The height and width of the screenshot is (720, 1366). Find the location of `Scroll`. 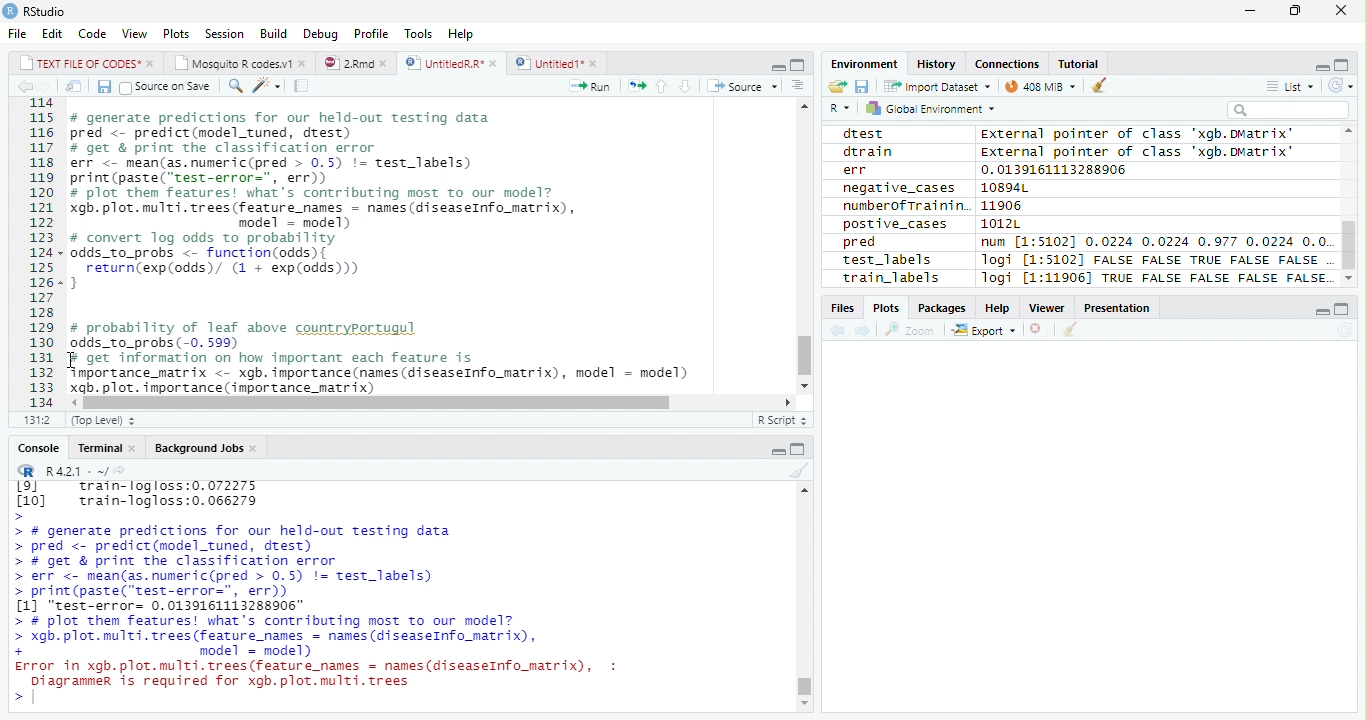

Scroll is located at coordinates (805, 245).